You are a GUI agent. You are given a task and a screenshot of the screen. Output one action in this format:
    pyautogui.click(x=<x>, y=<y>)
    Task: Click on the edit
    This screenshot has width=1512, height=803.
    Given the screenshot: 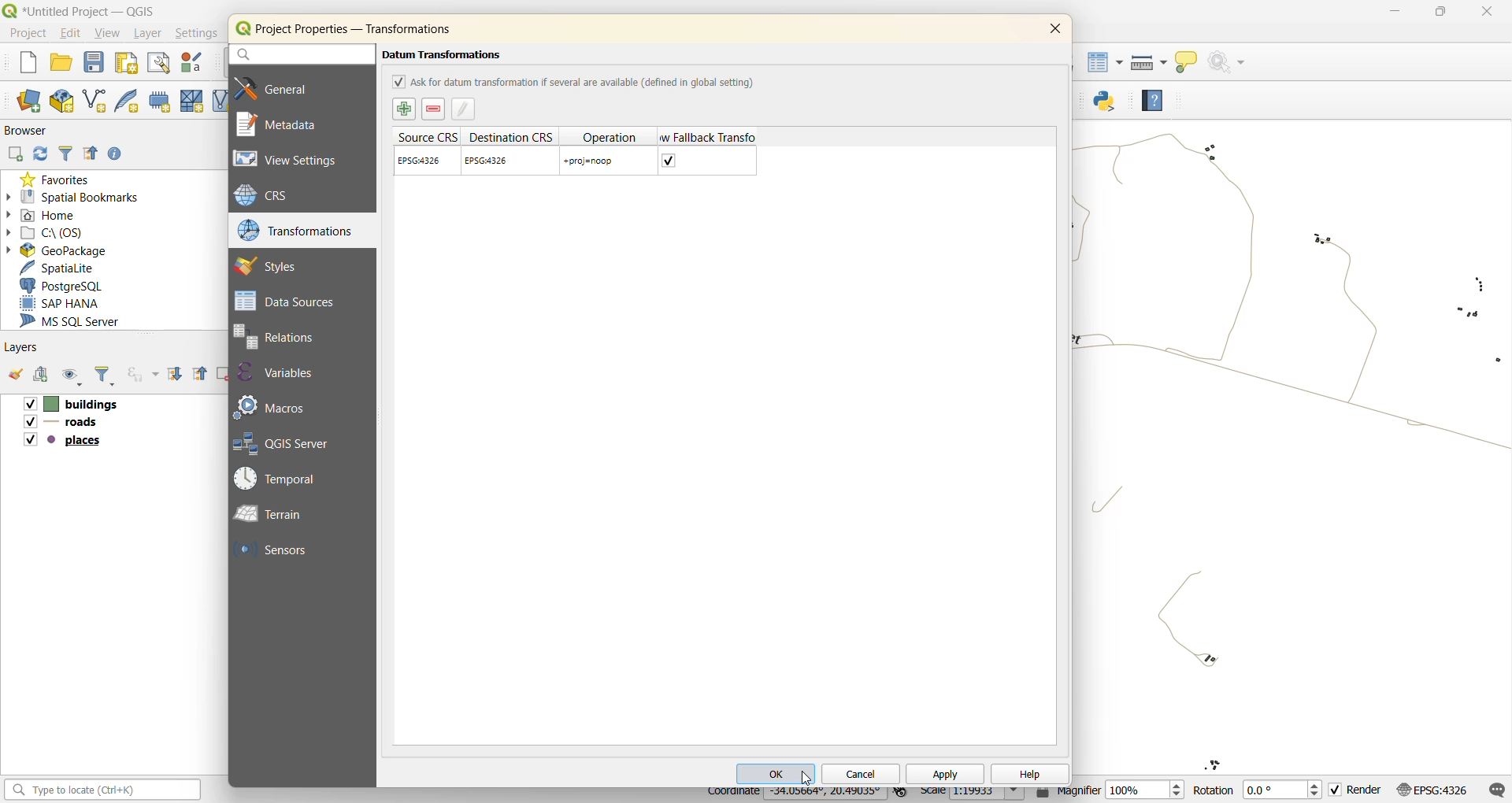 What is the action you would take?
    pyautogui.click(x=71, y=33)
    